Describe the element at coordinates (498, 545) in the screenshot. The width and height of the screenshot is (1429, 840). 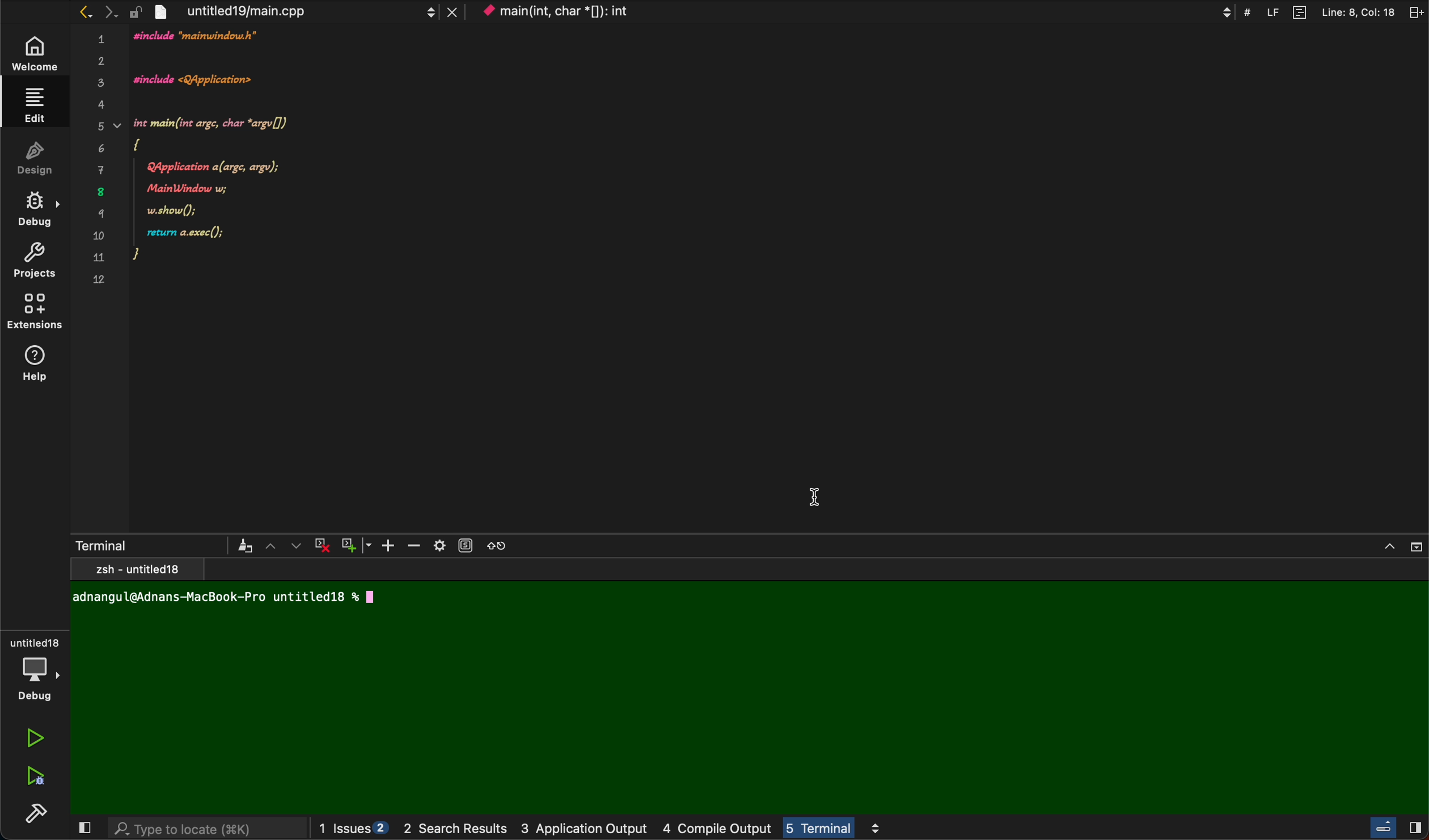
I see `reset` at that location.